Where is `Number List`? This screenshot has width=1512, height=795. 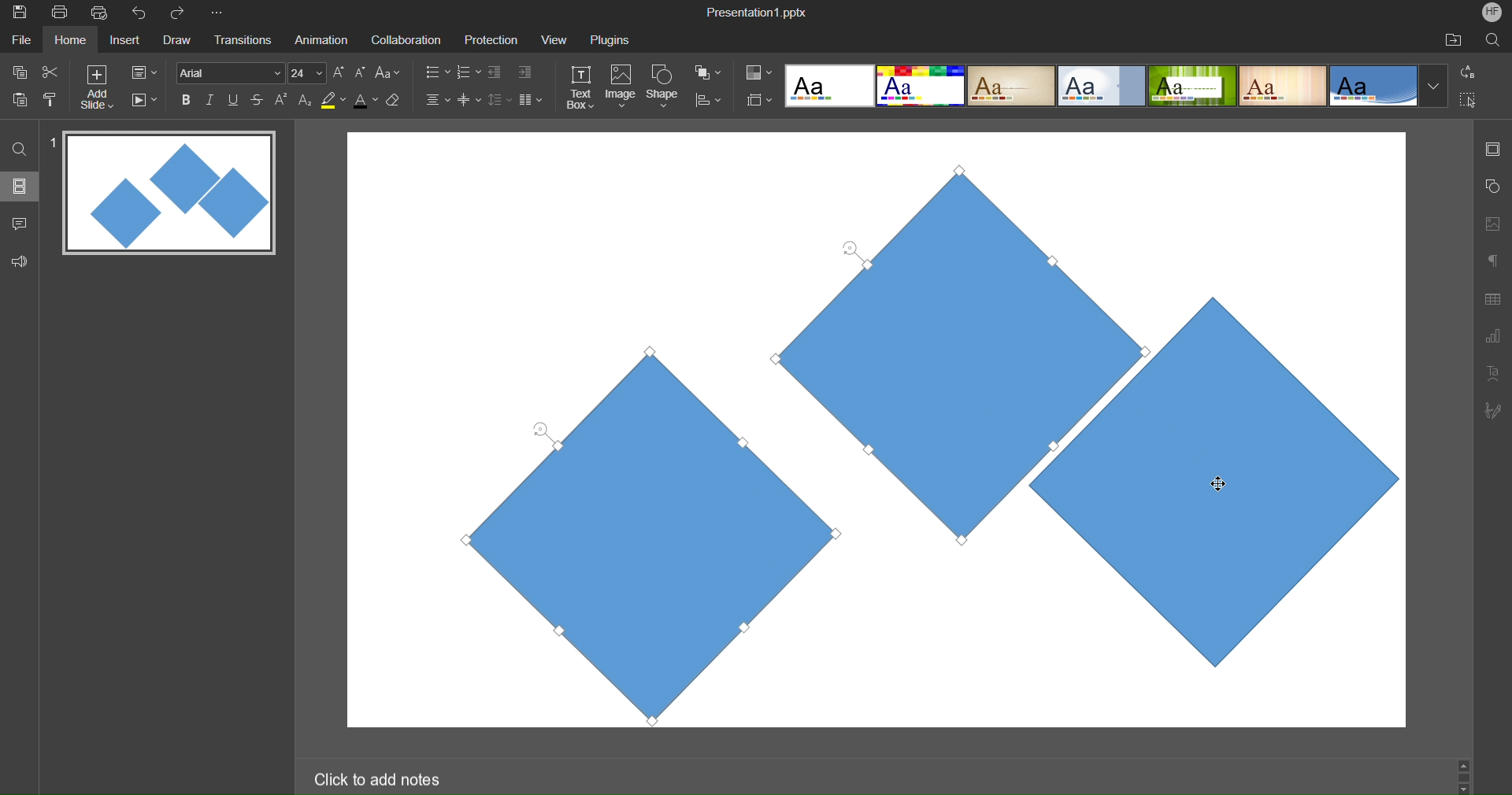
Number List is located at coordinates (467, 74).